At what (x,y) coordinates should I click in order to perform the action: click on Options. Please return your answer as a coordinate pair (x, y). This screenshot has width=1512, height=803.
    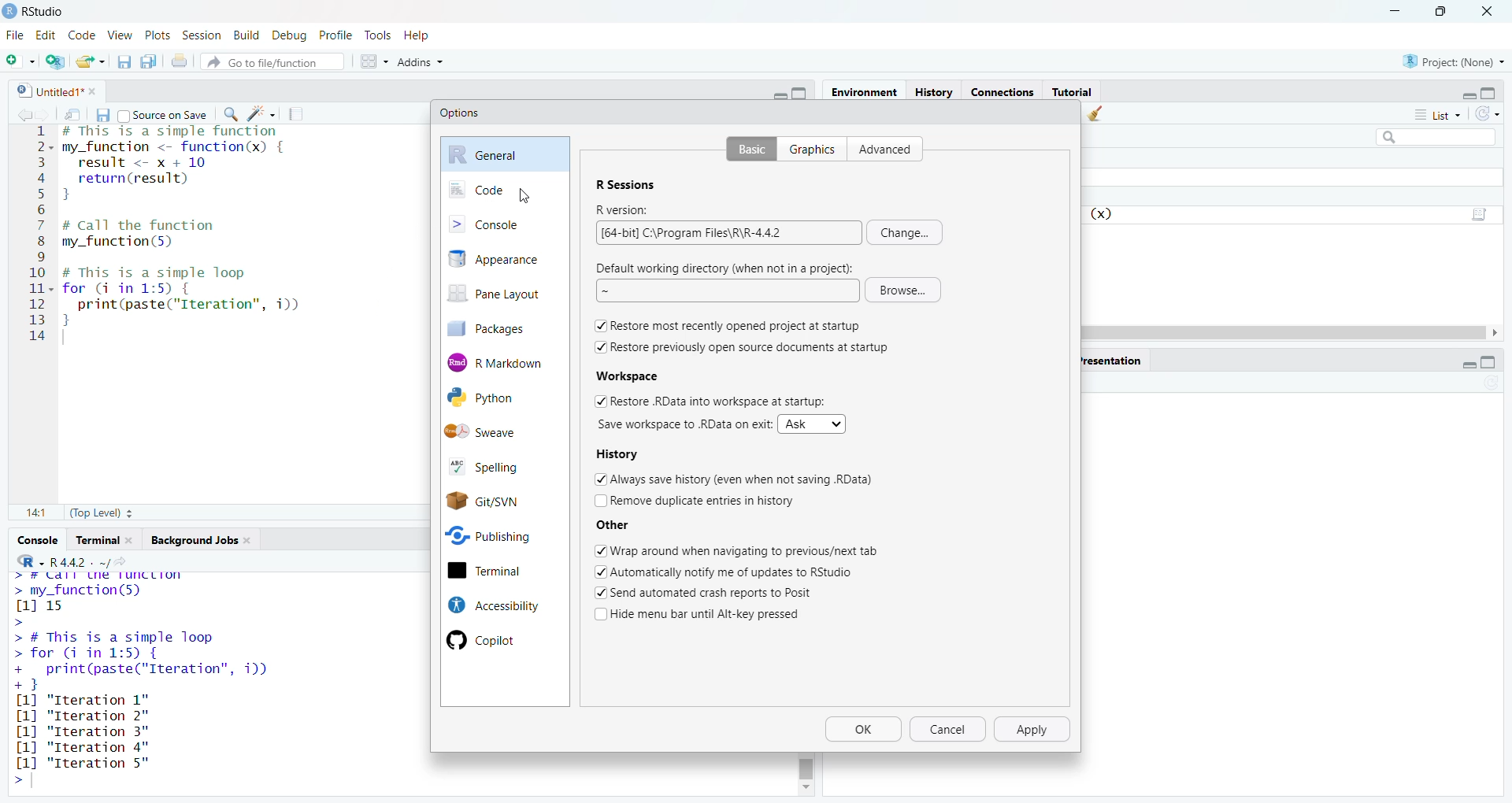
    Looking at the image, I should click on (461, 113).